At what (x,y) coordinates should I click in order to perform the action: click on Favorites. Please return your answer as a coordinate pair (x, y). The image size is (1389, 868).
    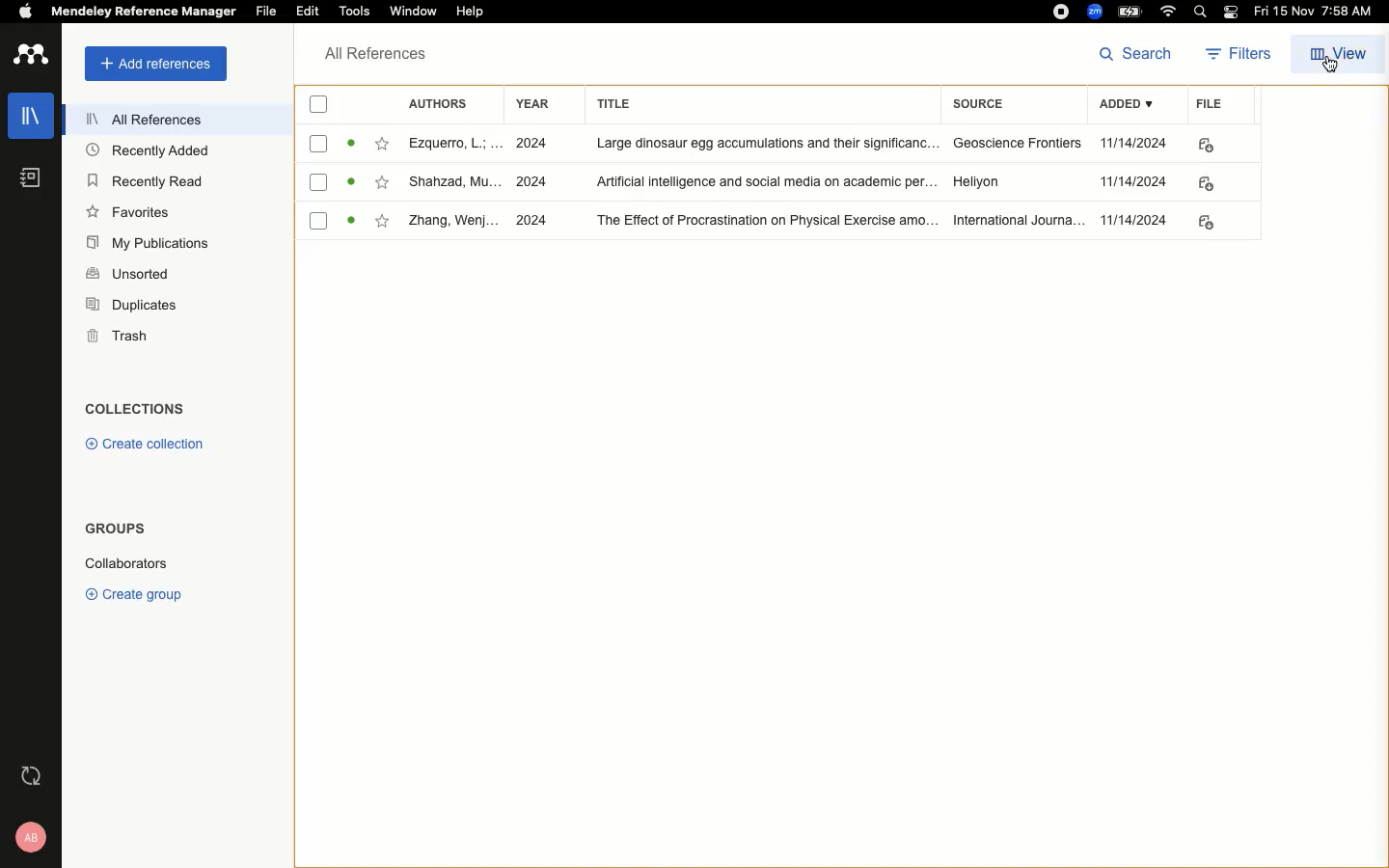
    Looking at the image, I should click on (129, 211).